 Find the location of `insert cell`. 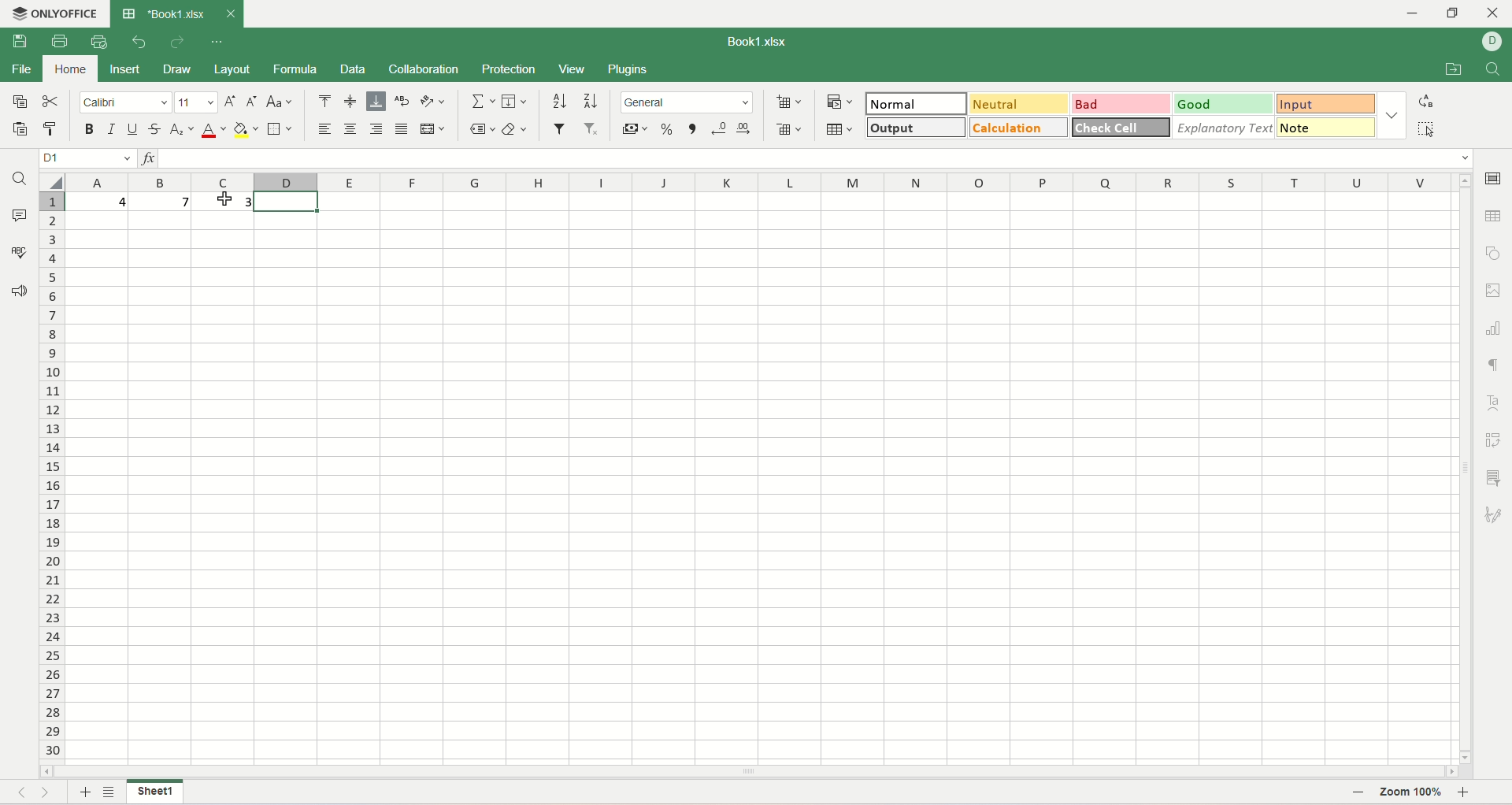

insert cell is located at coordinates (791, 99).